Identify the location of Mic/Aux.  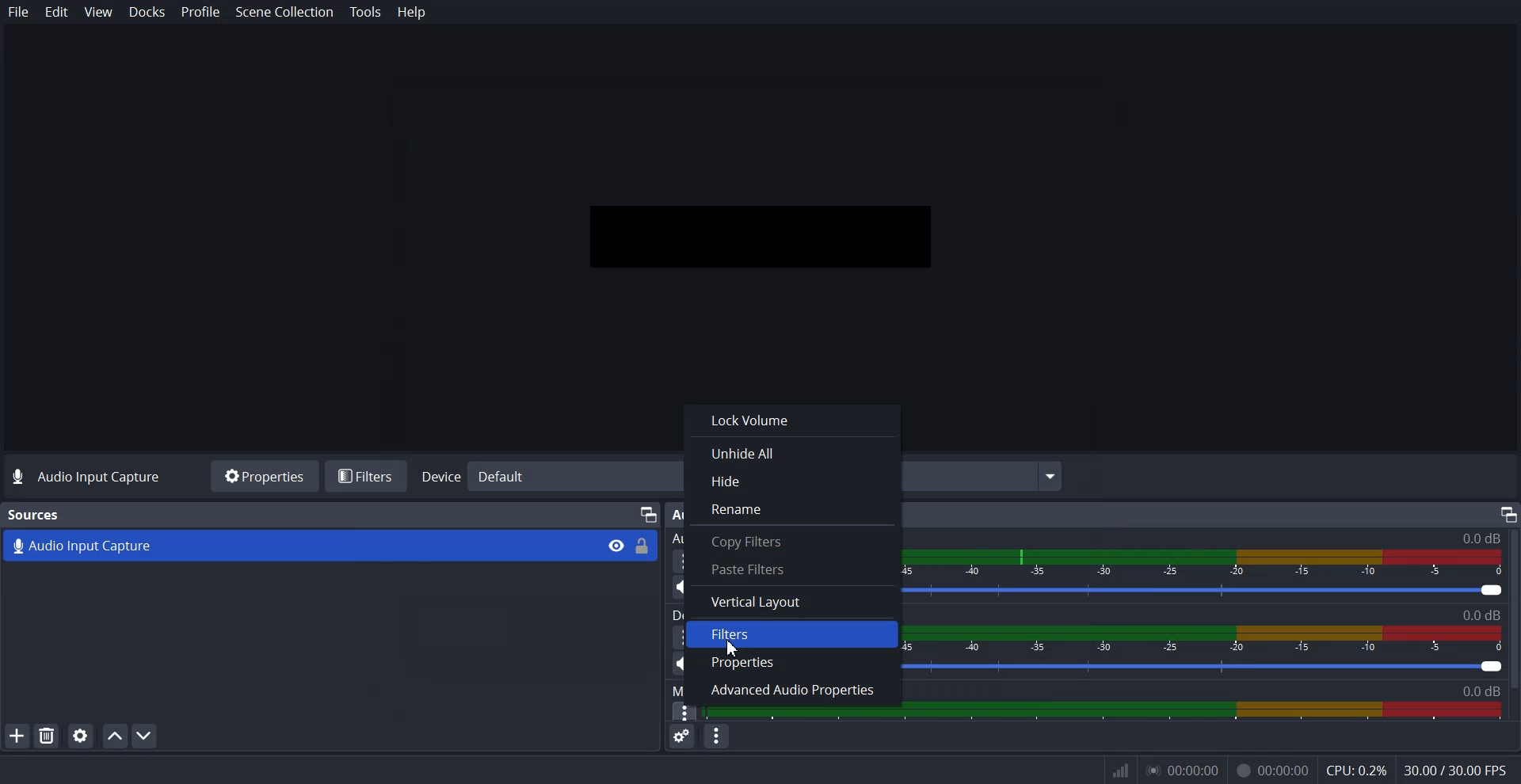
(680, 689).